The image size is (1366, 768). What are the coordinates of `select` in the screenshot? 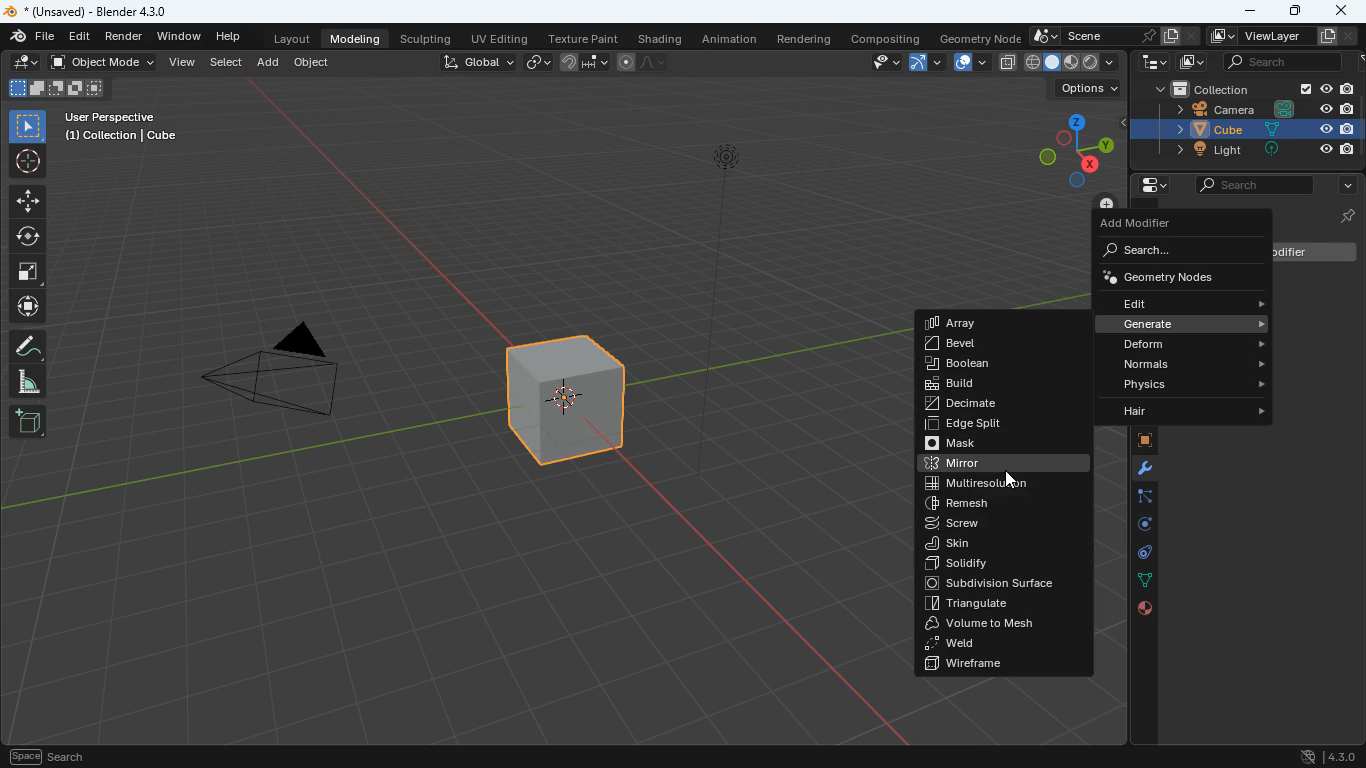 It's located at (30, 126).